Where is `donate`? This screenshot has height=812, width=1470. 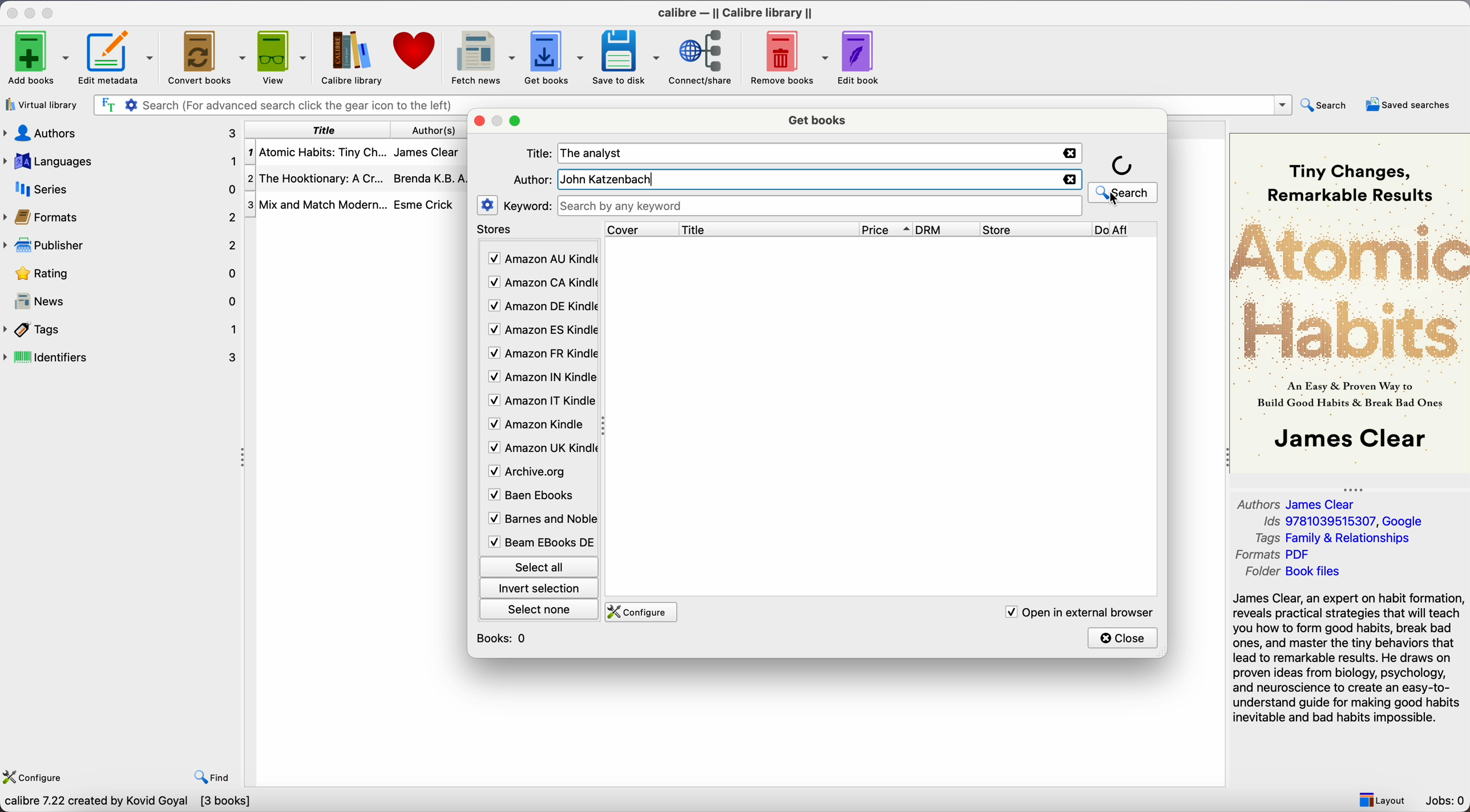 donate is located at coordinates (413, 53).